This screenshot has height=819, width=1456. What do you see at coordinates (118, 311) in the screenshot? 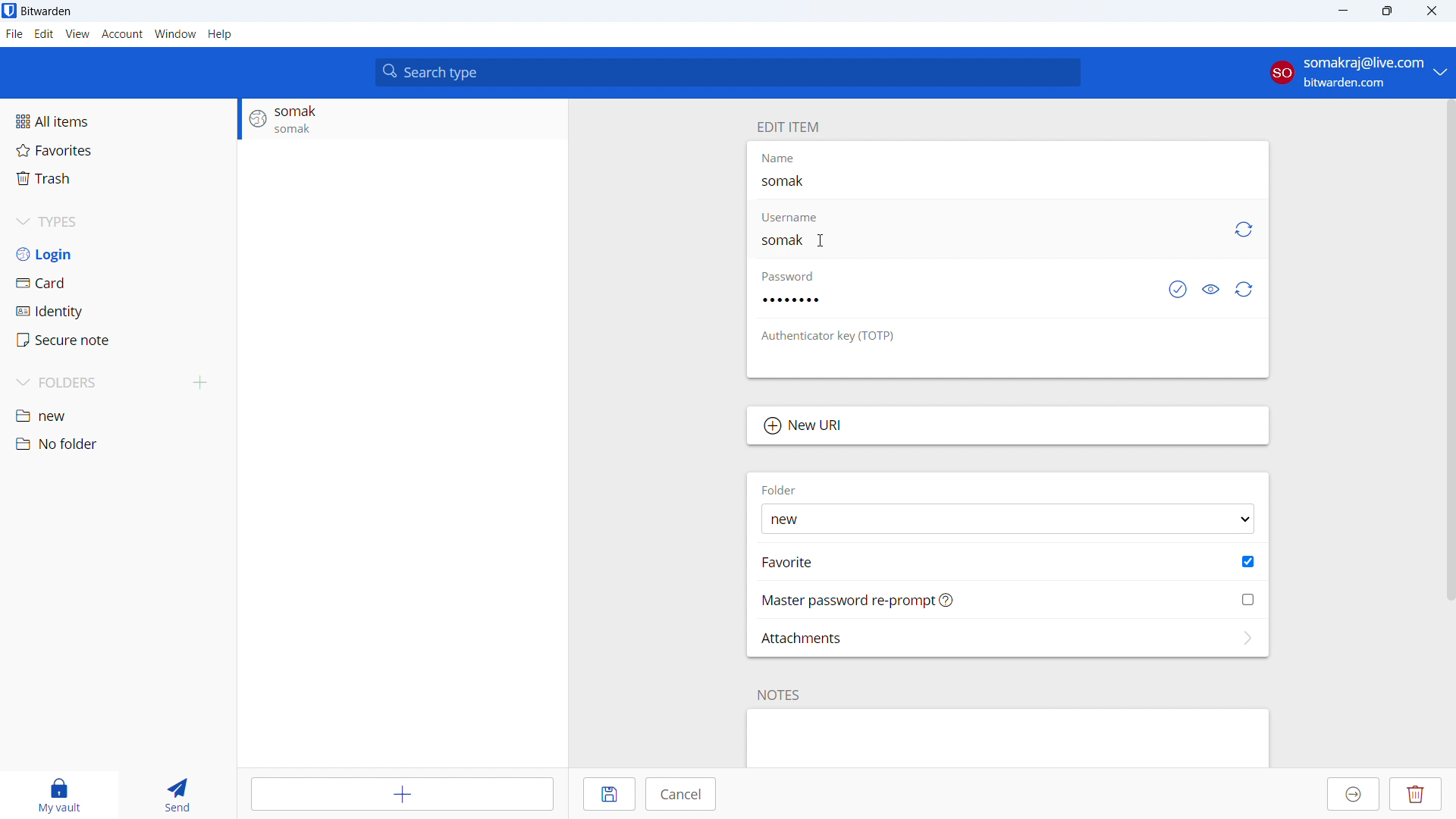
I see `identity` at bounding box center [118, 311].